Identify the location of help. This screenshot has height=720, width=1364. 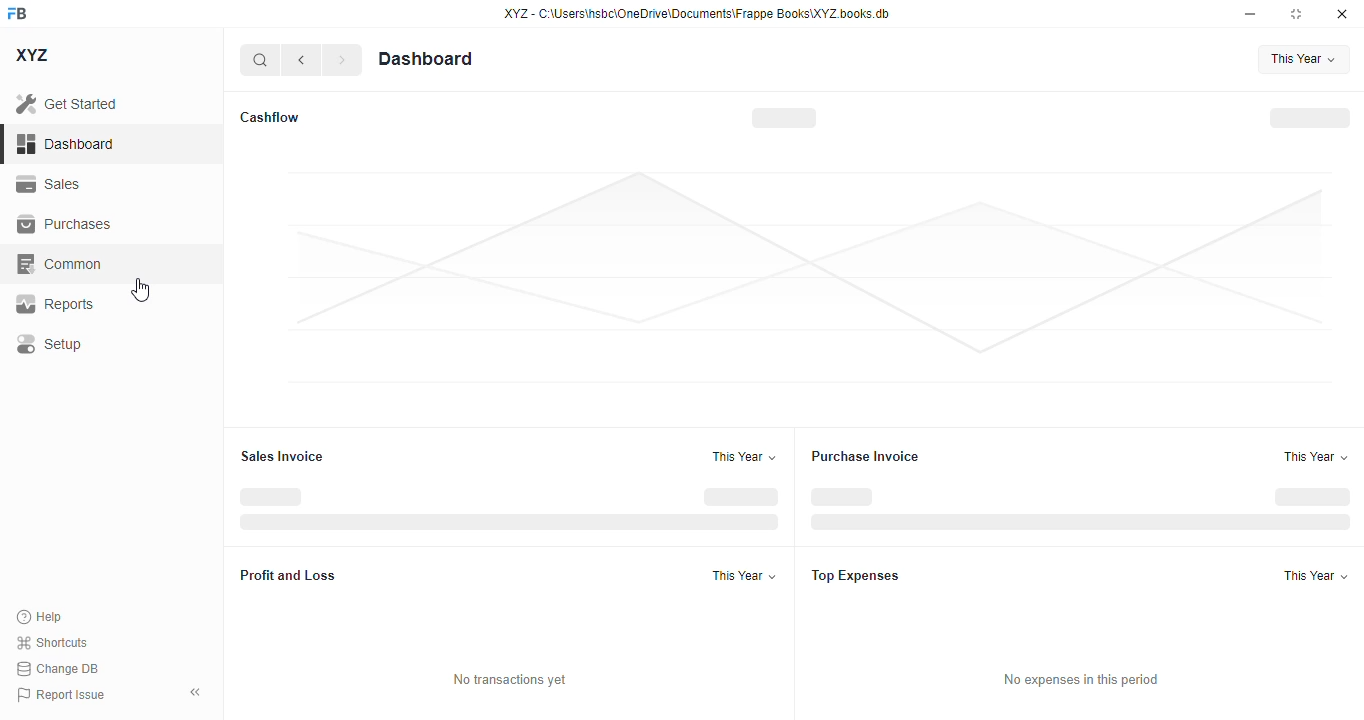
(40, 617).